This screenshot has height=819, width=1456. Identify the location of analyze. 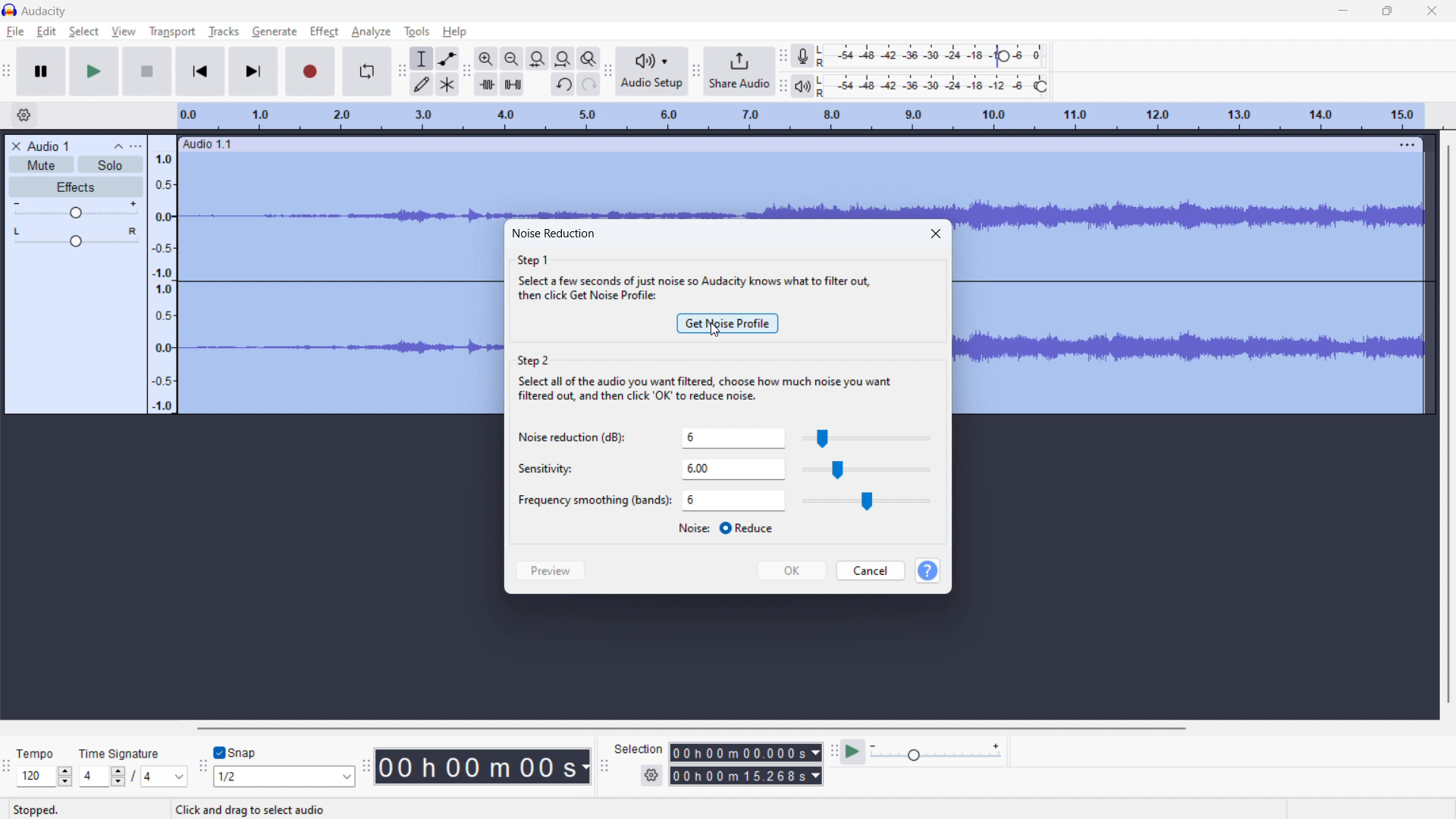
(372, 32).